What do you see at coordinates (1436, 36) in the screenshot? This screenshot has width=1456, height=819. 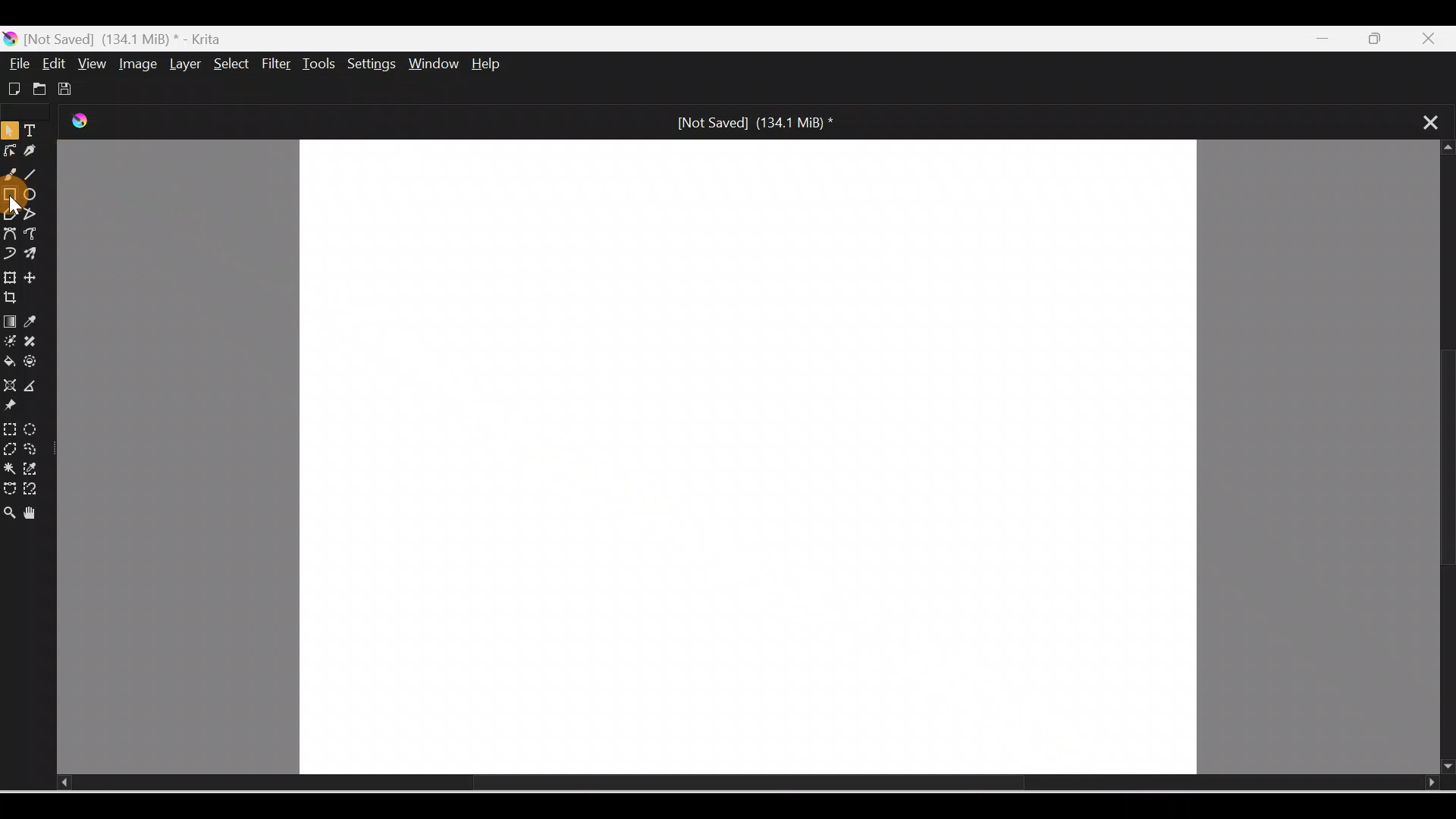 I see `Close` at bounding box center [1436, 36].